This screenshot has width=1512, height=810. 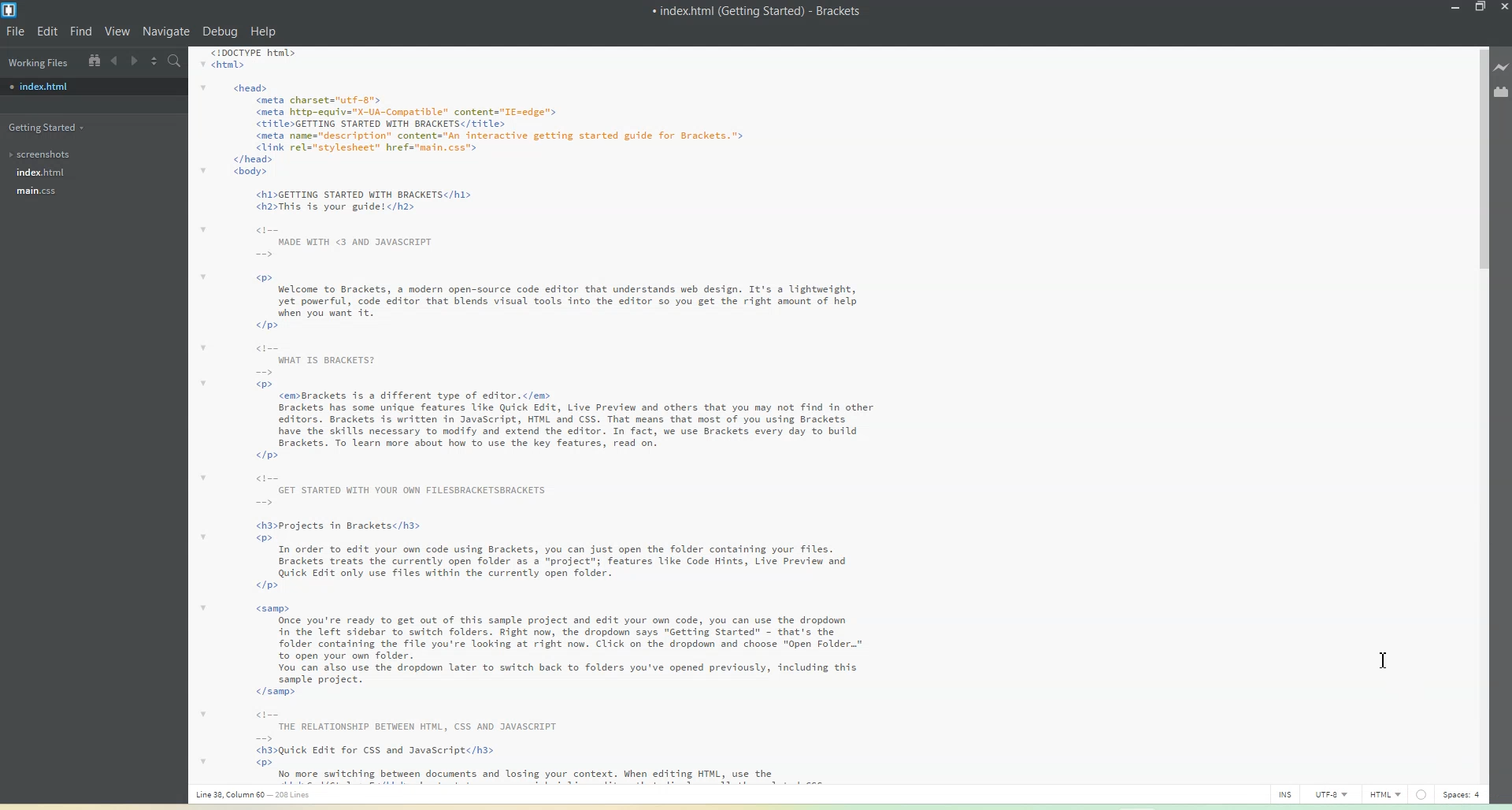 I want to click on Index.html (Getting Started) - Brackets, so click(x=758, y=10).